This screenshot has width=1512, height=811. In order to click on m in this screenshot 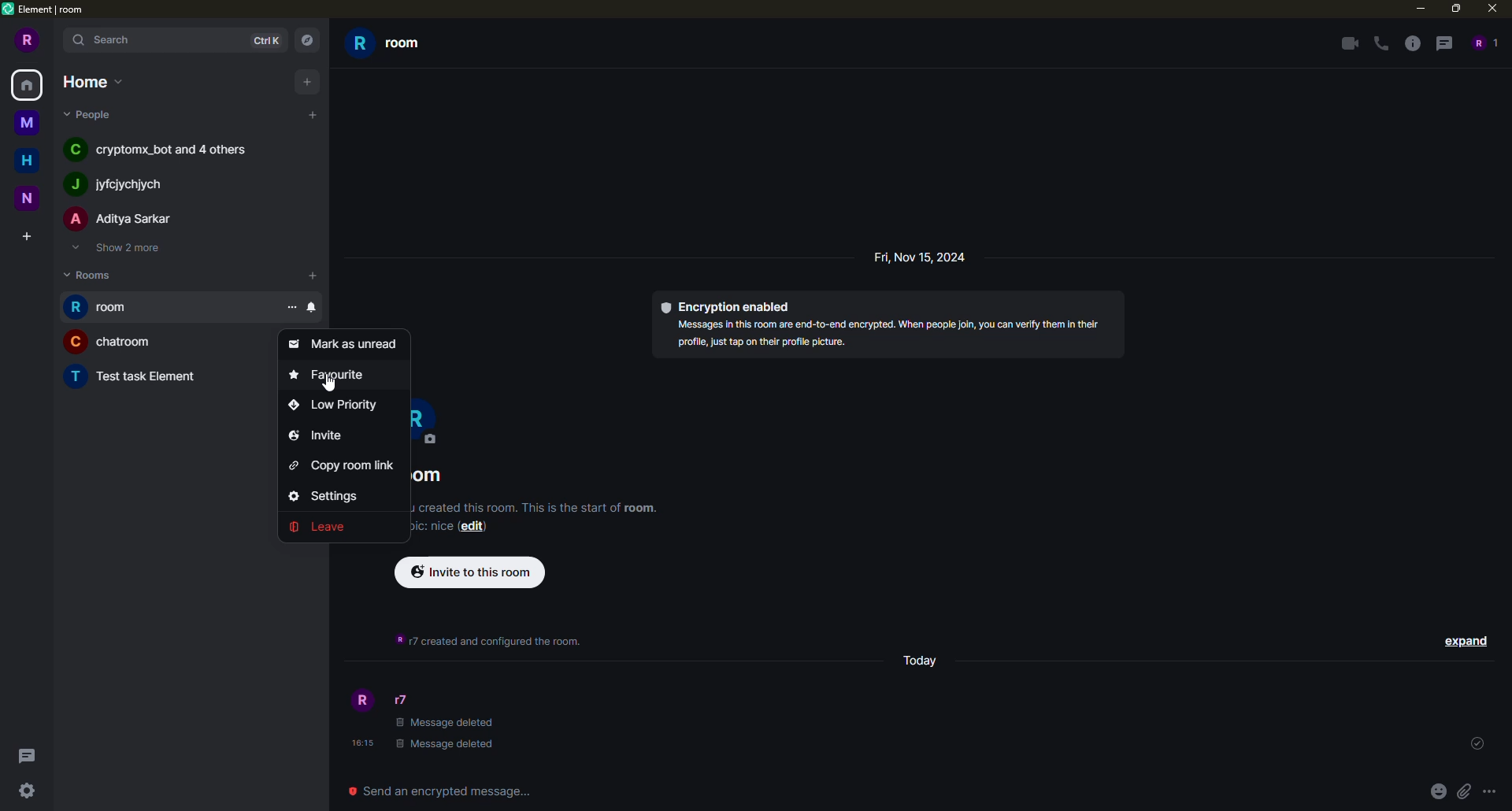, I will do `click(26, 124)`.